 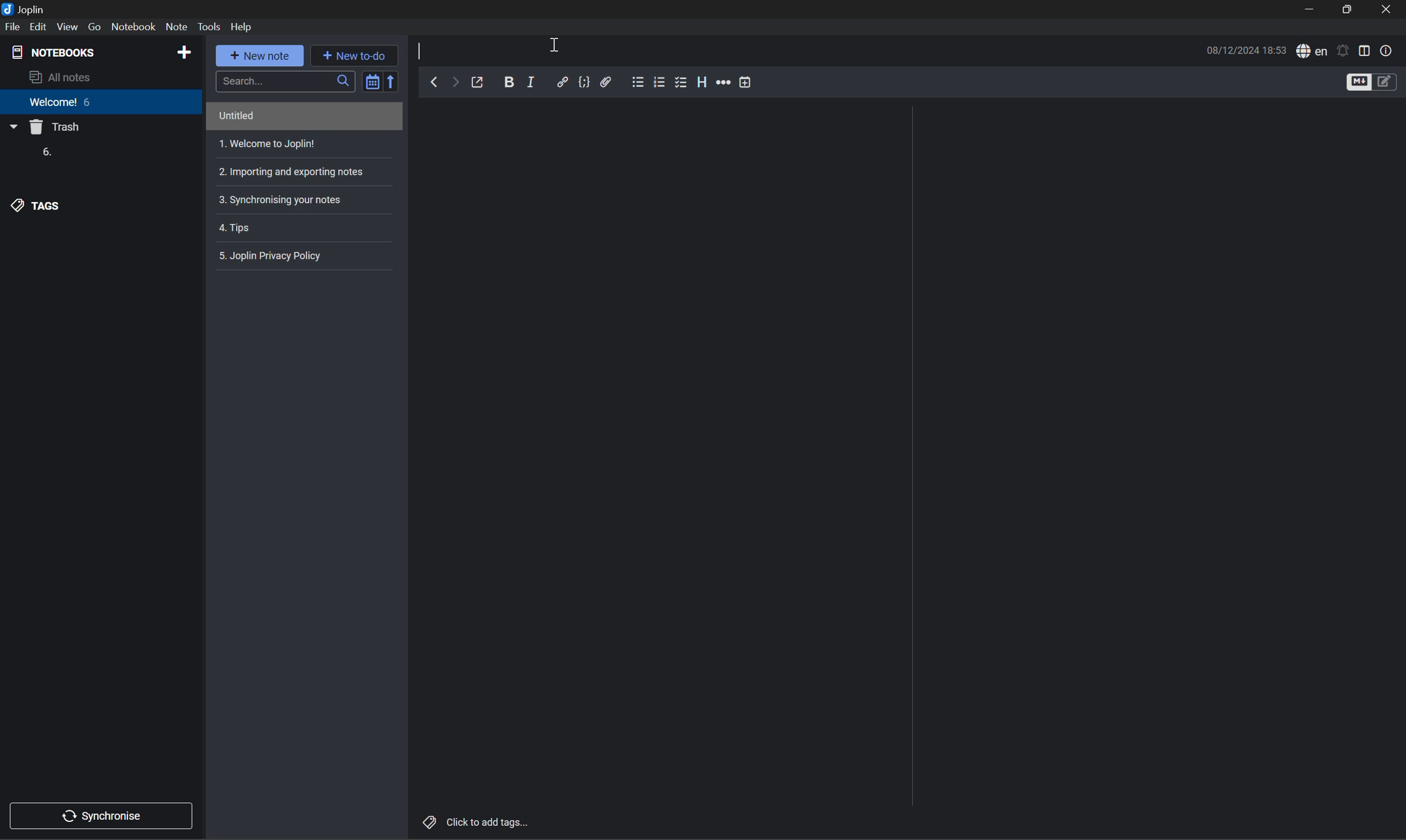 I want to click on Attach file, so click(x=608, y=82).